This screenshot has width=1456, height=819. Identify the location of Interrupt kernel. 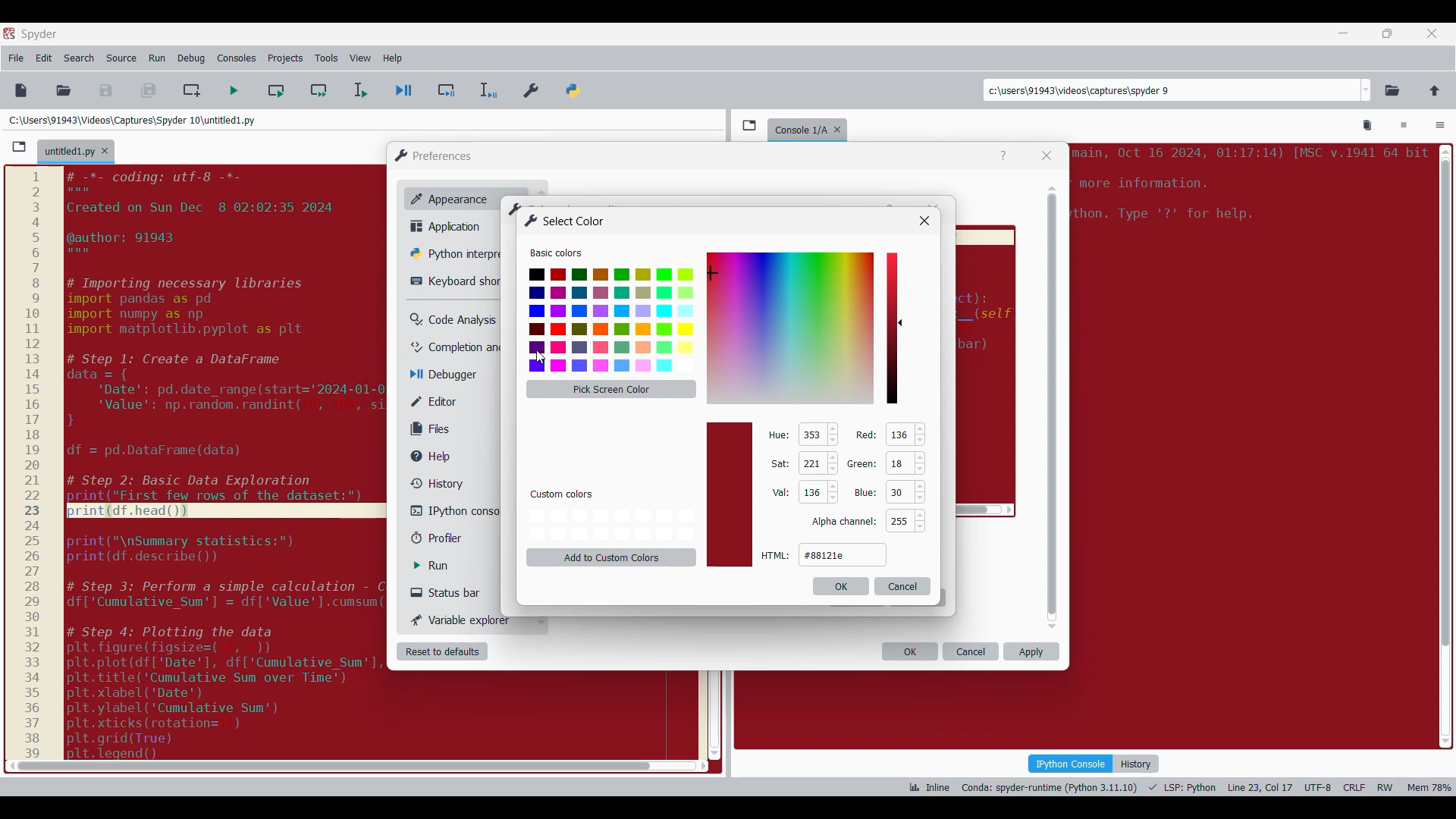
(1404, 126).